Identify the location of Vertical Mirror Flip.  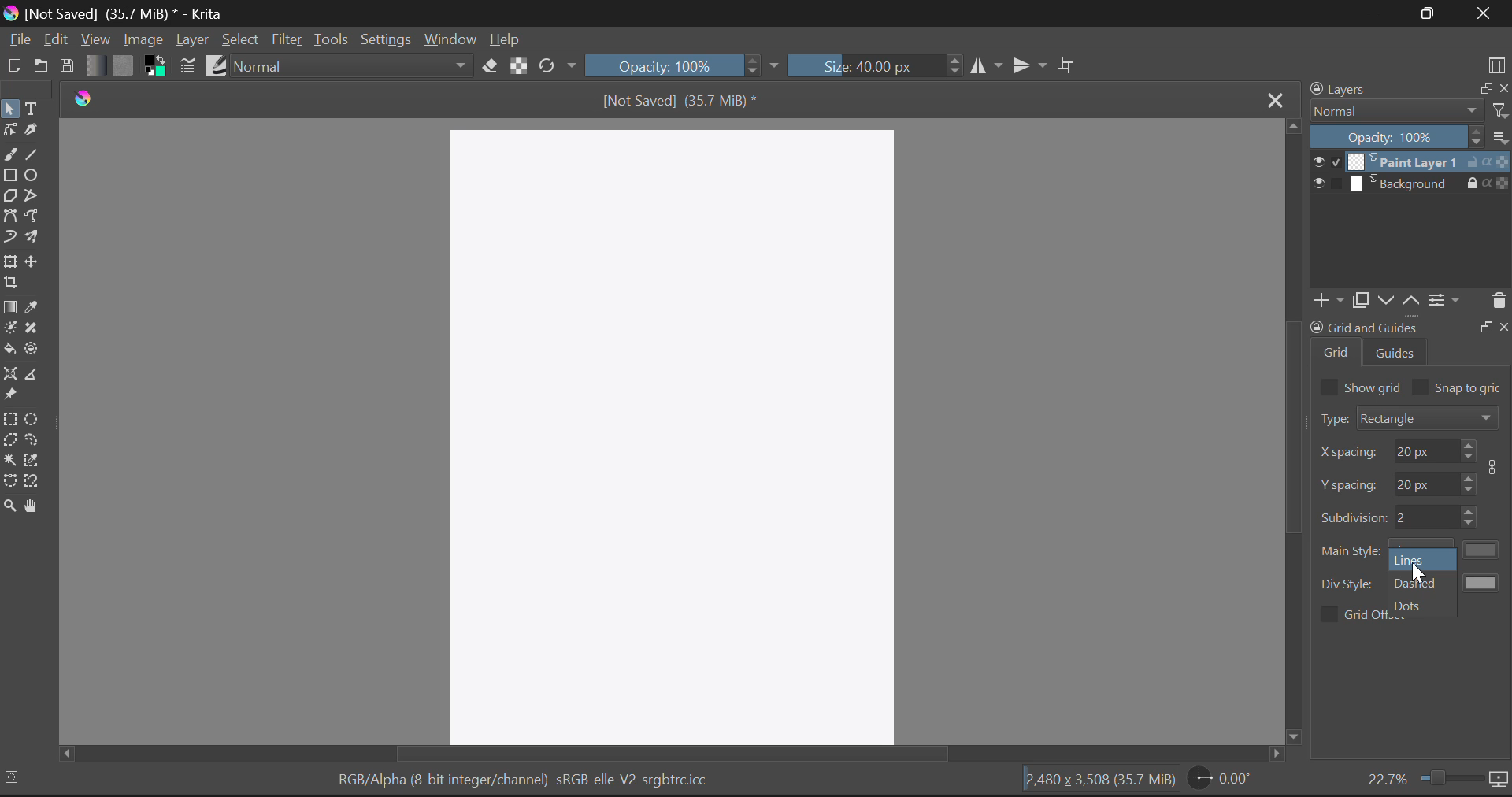
(987, 67).